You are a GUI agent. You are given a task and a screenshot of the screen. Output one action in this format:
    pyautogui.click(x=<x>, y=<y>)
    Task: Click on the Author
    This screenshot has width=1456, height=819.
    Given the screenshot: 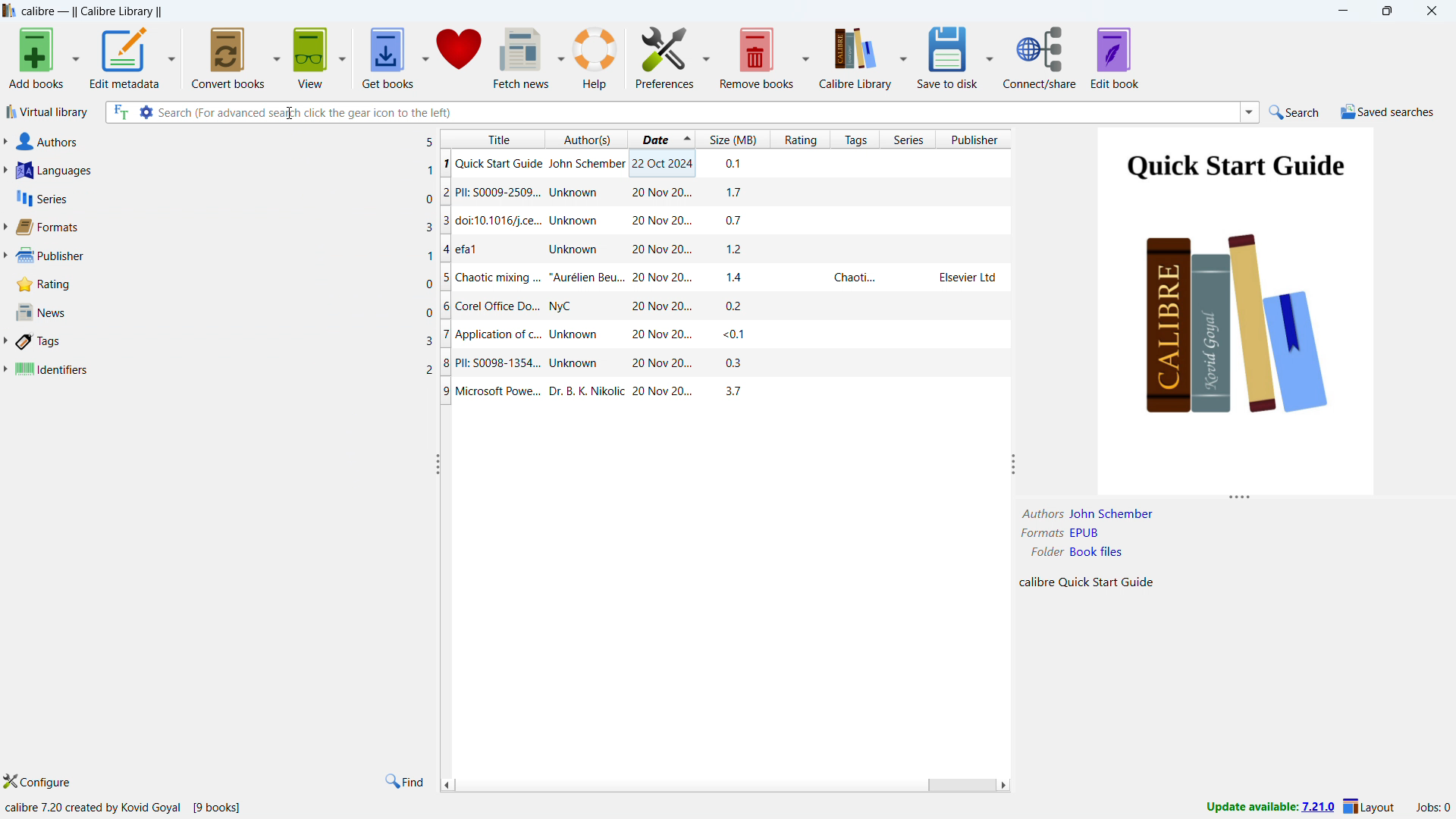 What is the action you would take?
    pyautogui.click(x=1041, y=513)
    